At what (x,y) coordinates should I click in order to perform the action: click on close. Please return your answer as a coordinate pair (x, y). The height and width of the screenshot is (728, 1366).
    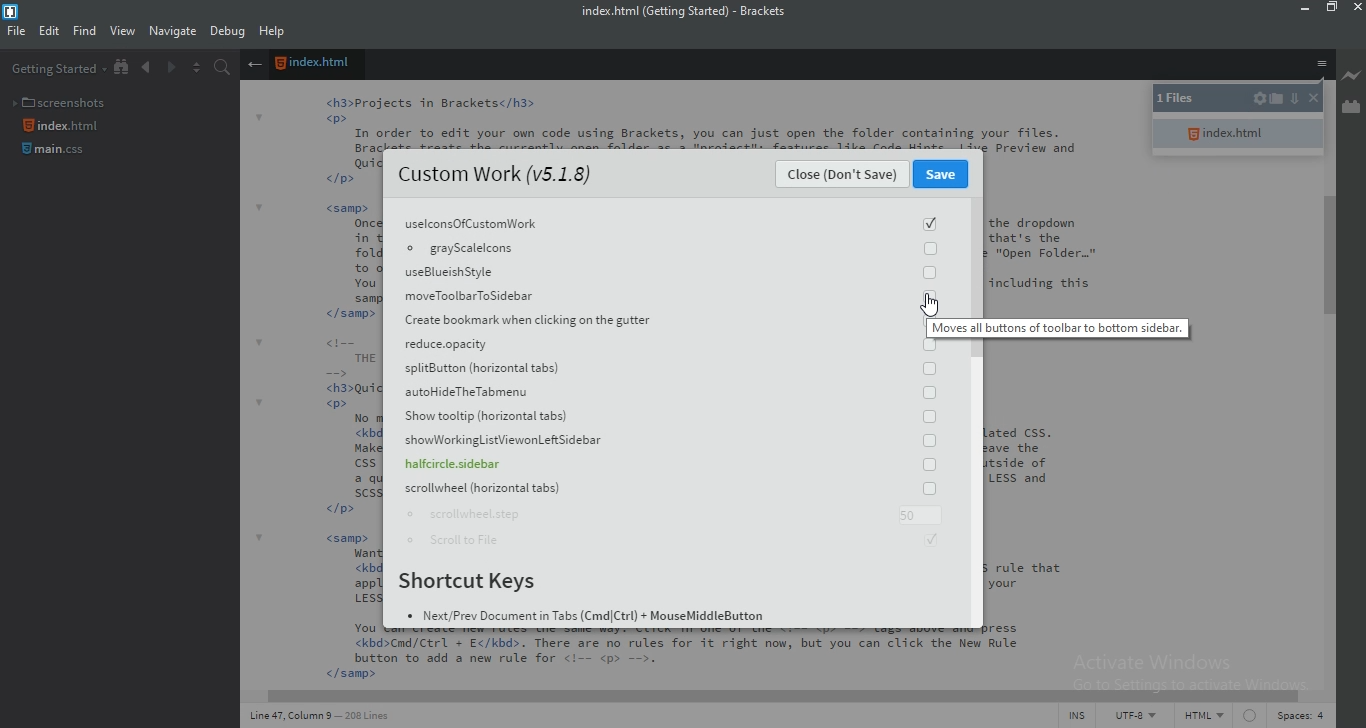
    Looking at the image, I should click on (1357, 8).